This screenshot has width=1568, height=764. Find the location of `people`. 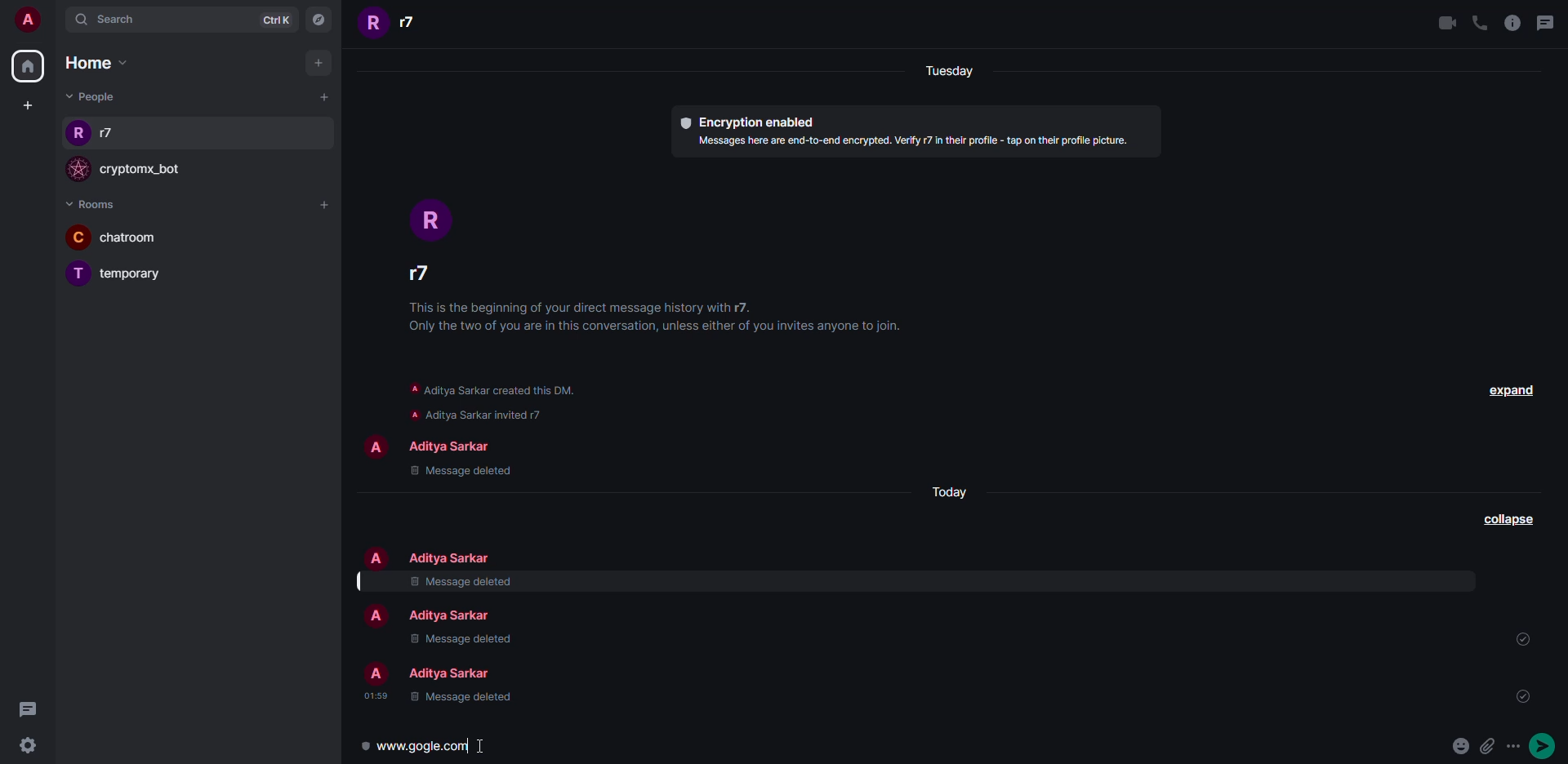

people is located at coordinates (111, 135).